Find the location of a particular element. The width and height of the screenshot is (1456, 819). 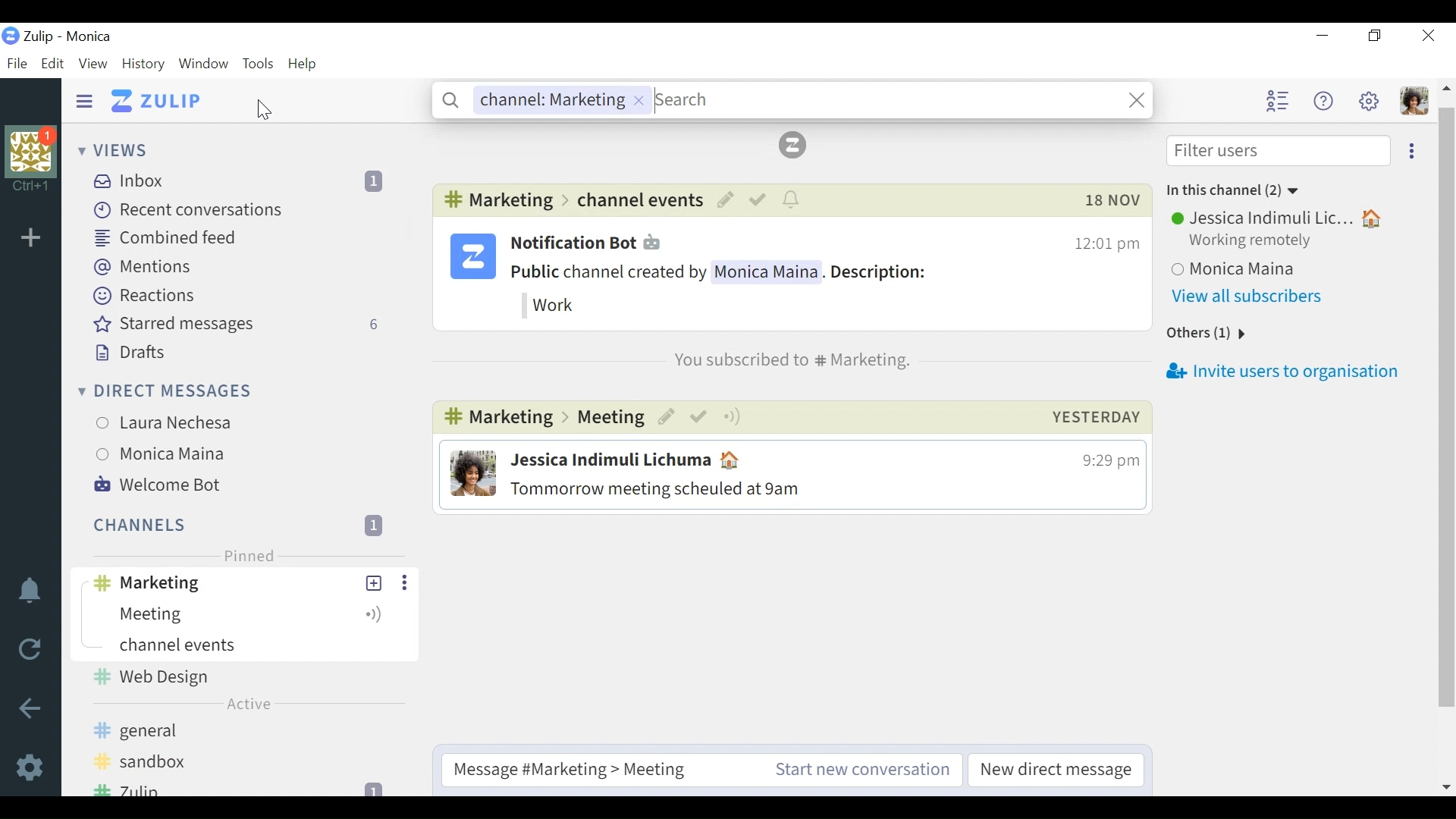

Tulip logo is located at coordinates (461, 259).